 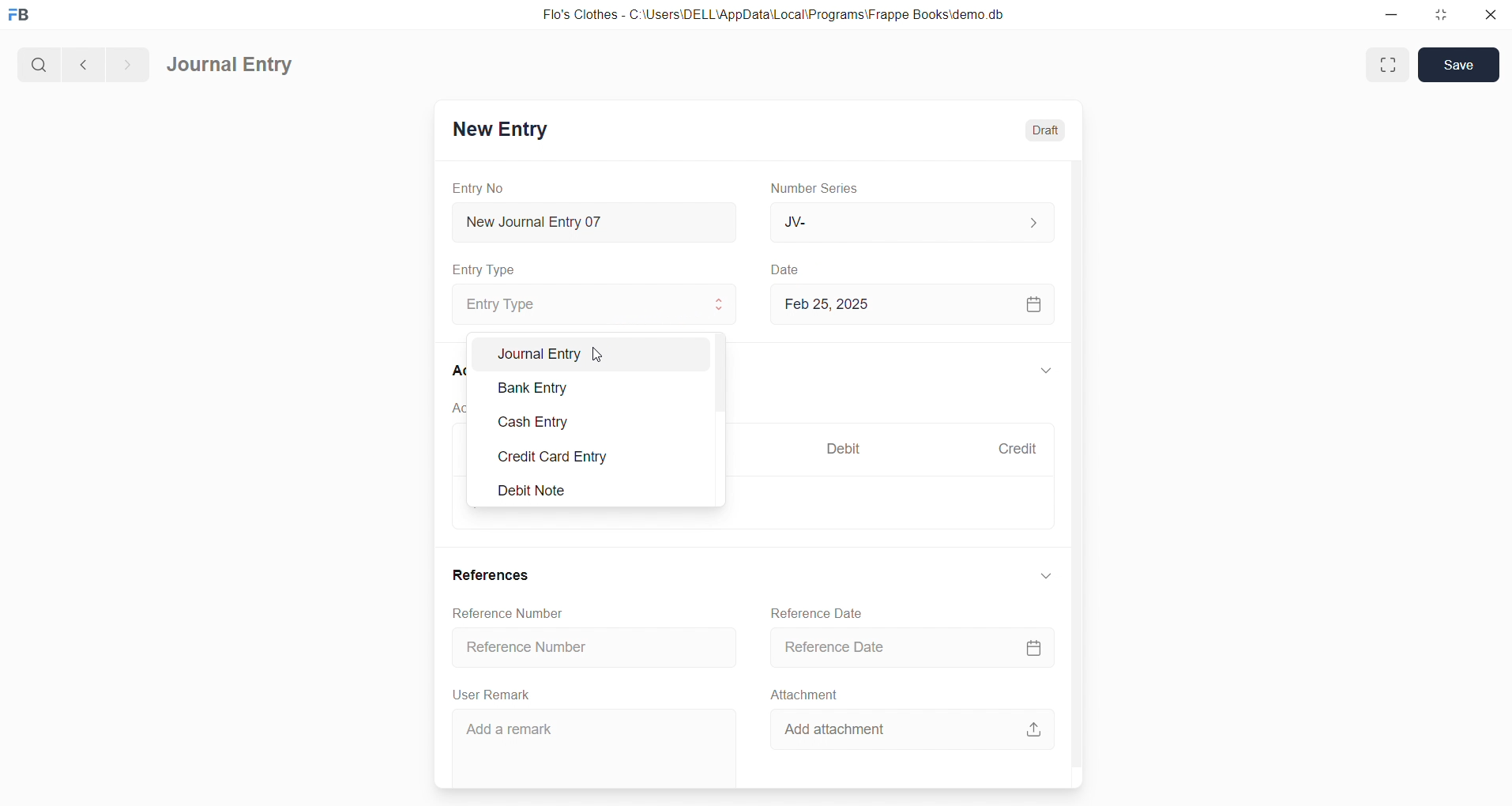 What do you see at coordinates (81, 62) in the screenshot?
I see `navigate backward ` at bounding box center [81, 62].